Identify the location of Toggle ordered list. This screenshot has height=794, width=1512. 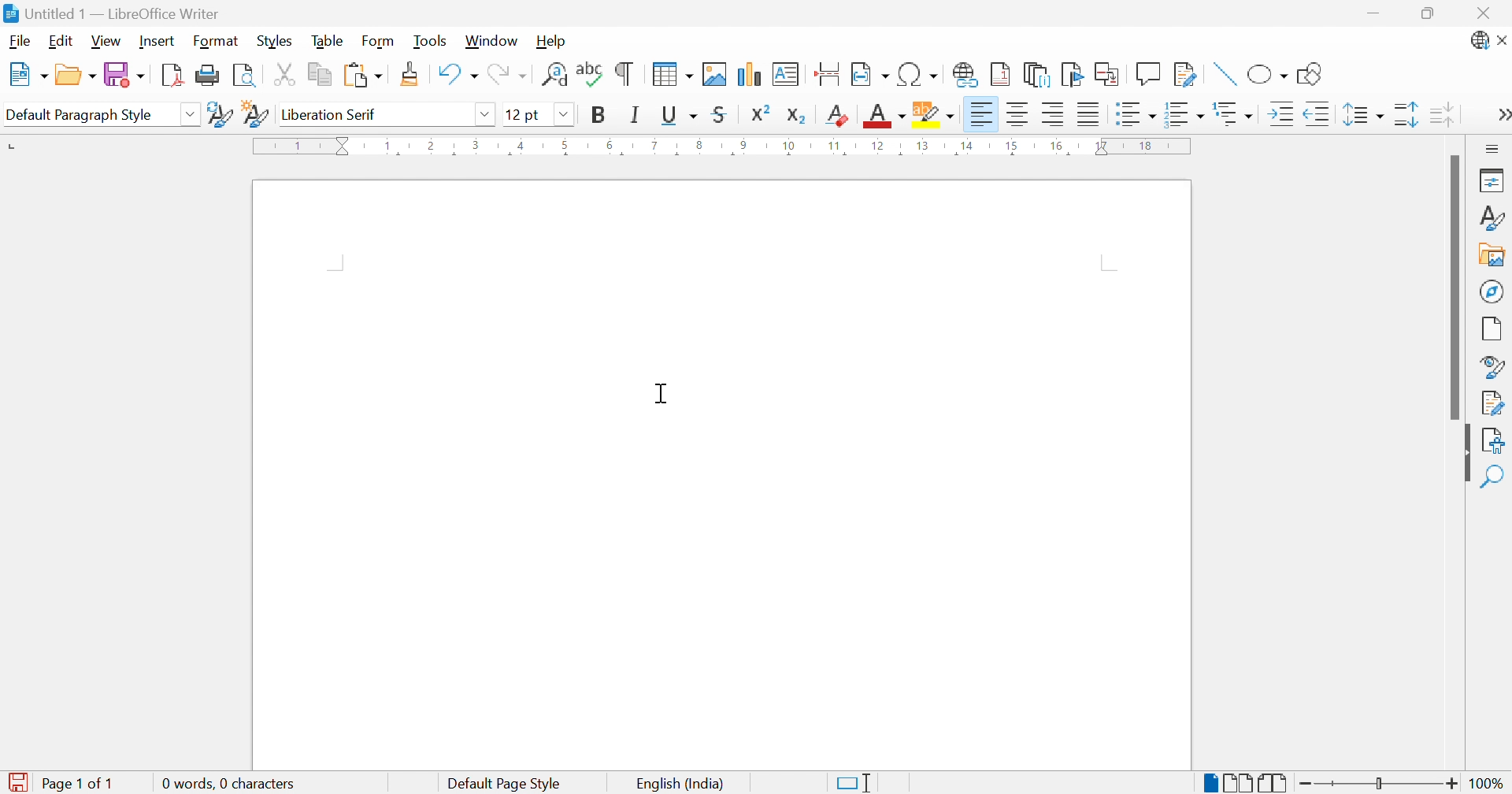
(1186, 113).